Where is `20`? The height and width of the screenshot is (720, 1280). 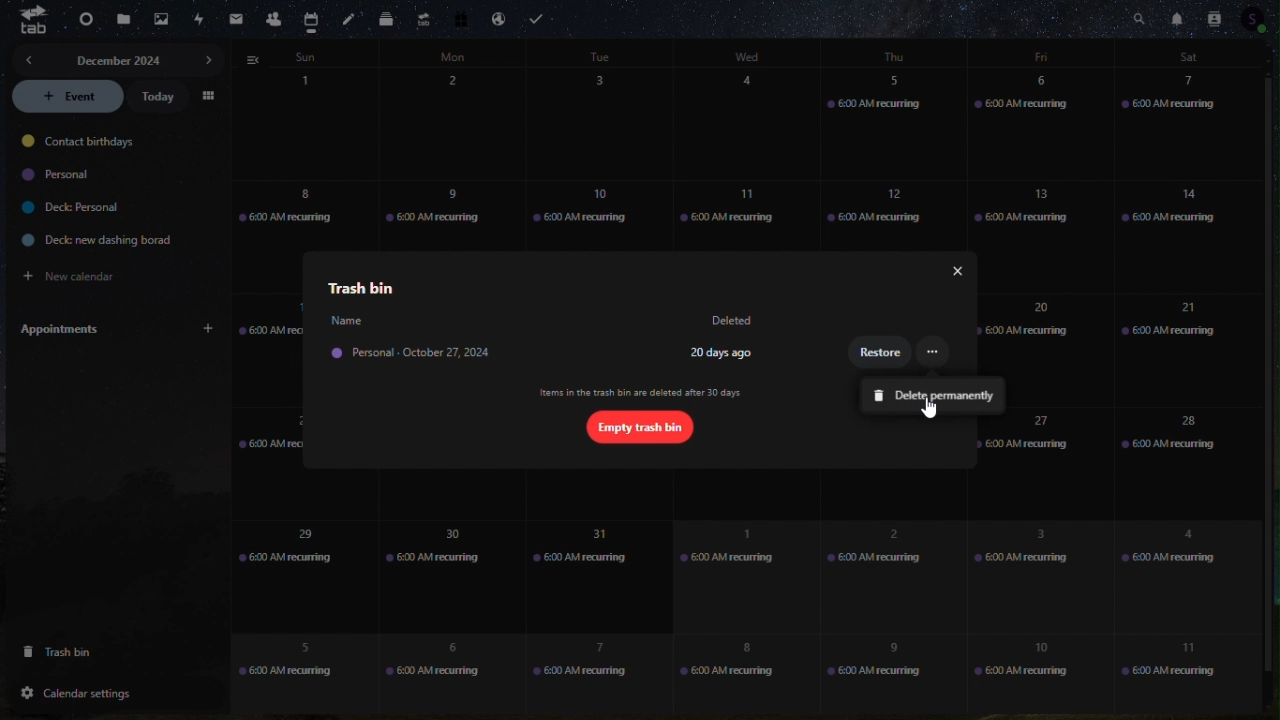
20 is located at coordinates (1028, 322).